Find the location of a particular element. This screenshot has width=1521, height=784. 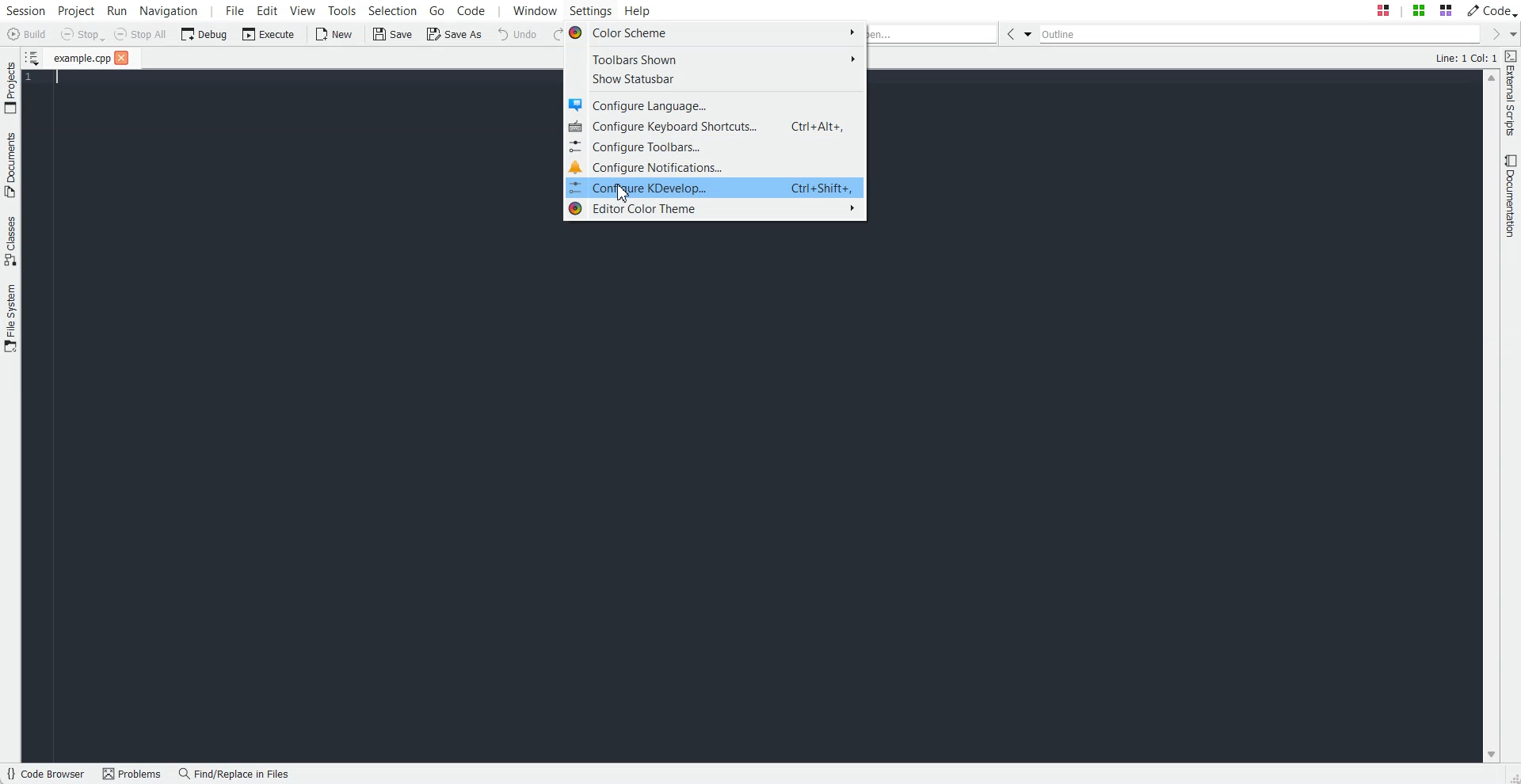

Go Forward is located at coordinates (1491, 33).